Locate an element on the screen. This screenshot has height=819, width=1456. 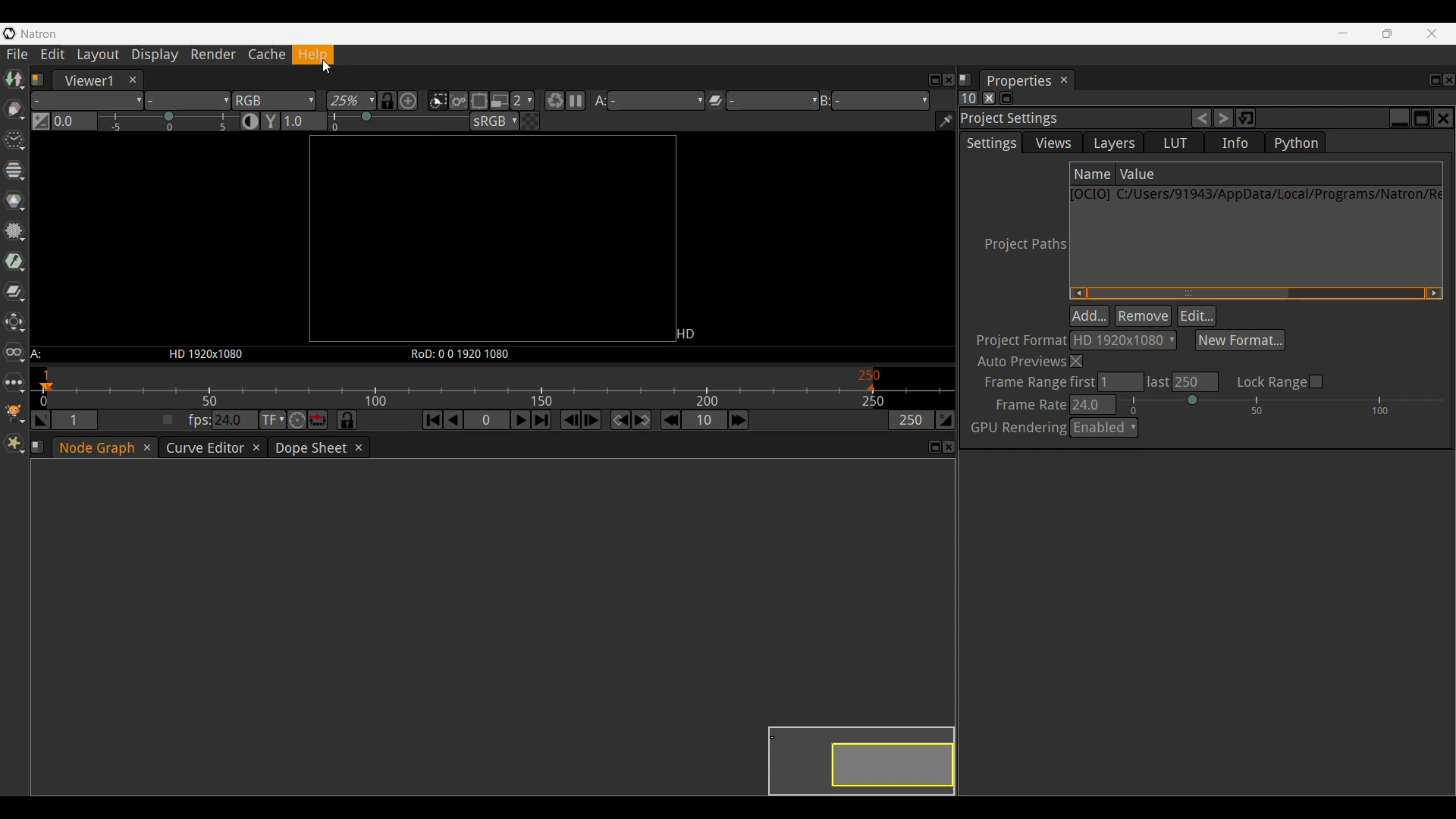
Playback in pointer is located at coordinates (46, 387).